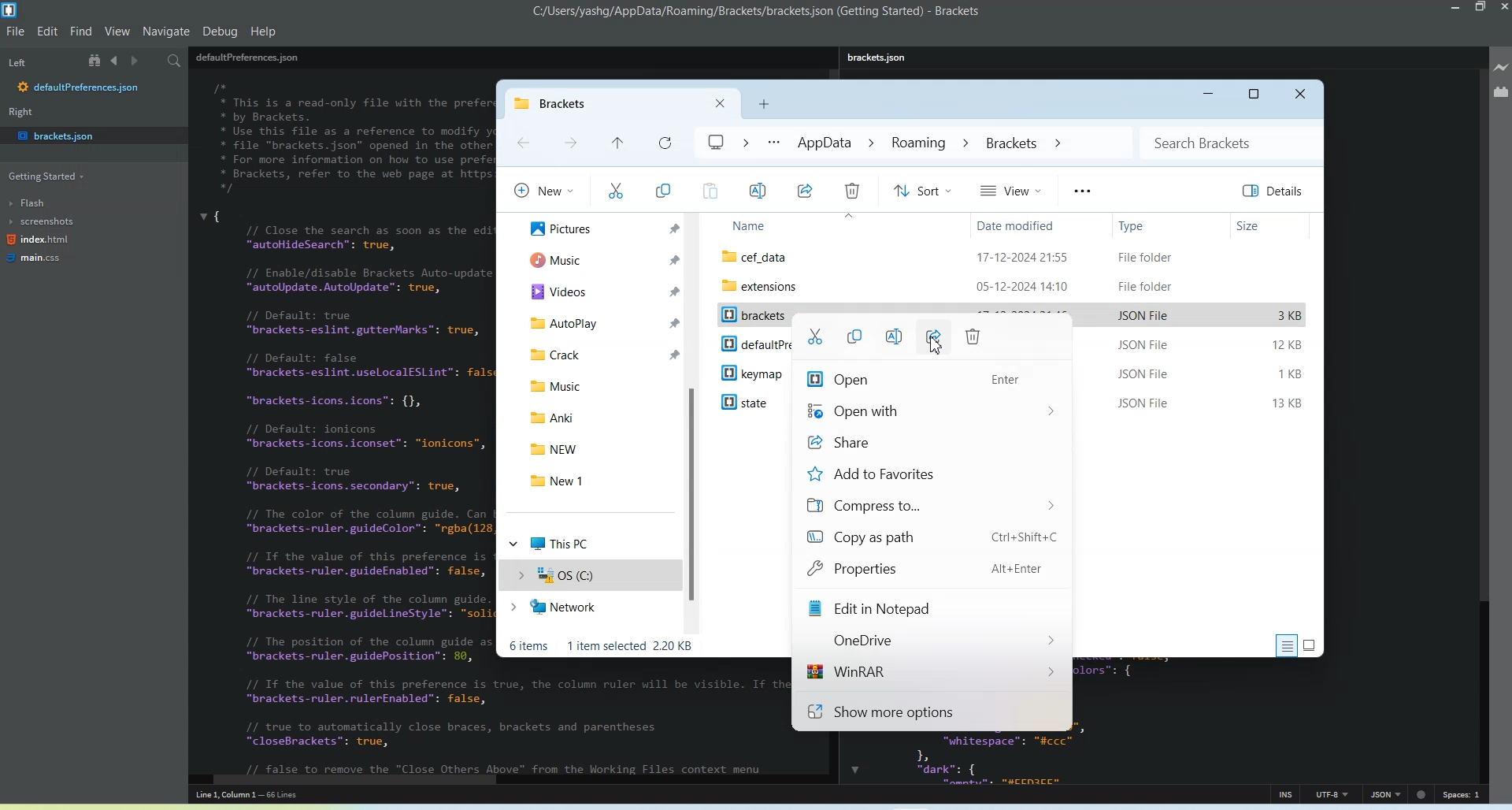  I want to click on errors, so click(1423, 793).